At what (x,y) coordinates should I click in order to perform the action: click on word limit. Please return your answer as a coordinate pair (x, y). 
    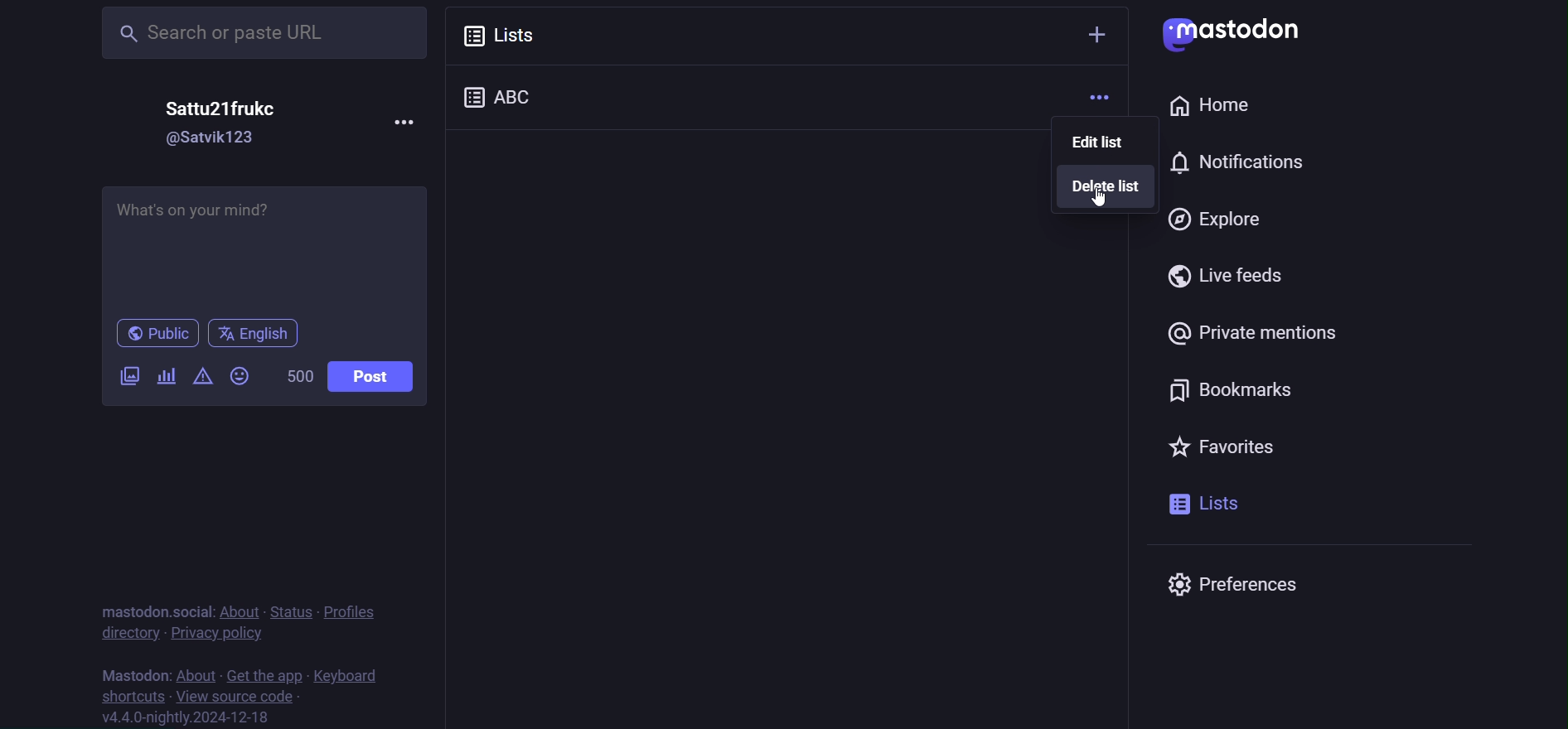
    Looking at the image, I should click on (296, 375).